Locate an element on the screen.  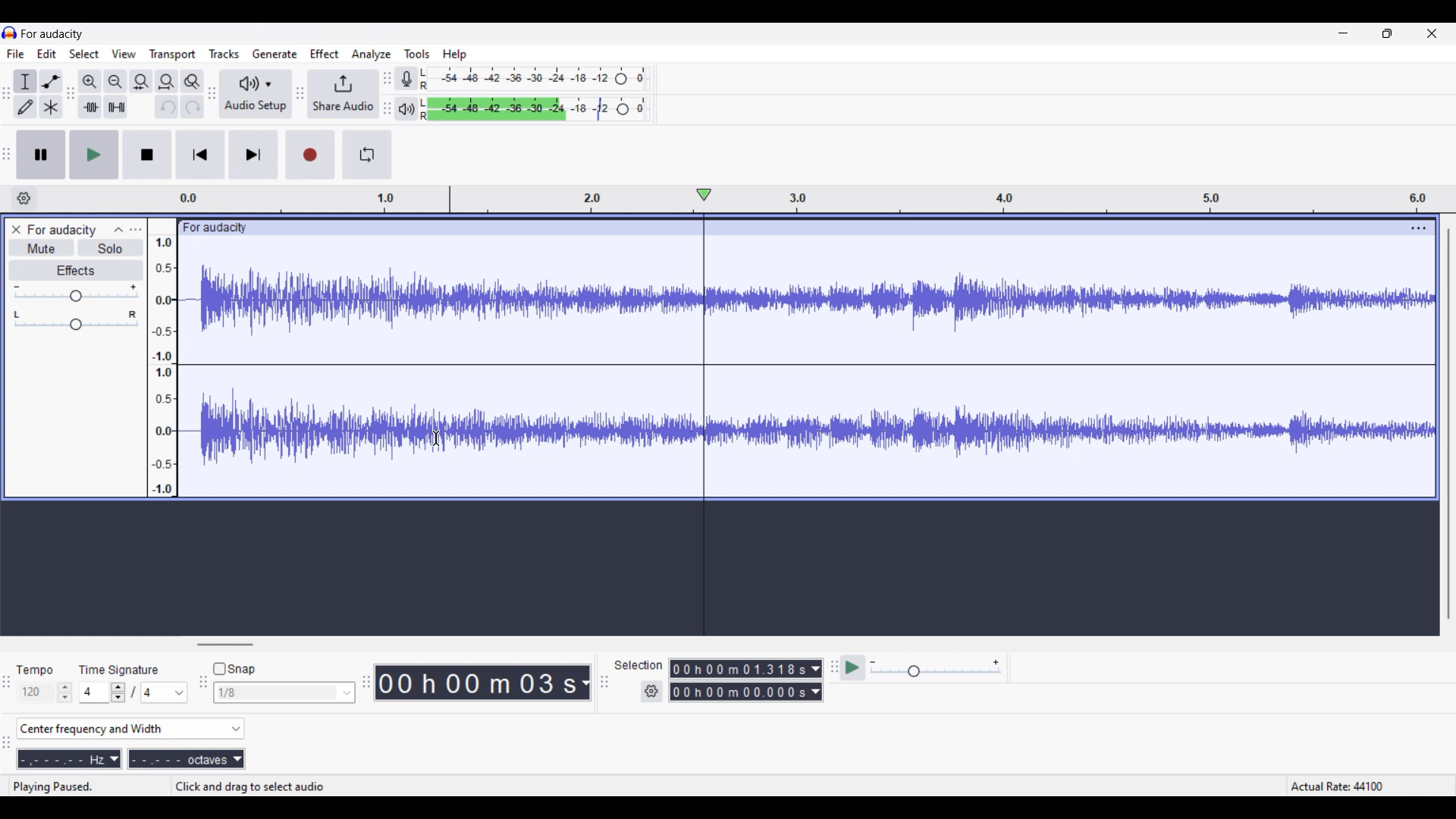
Zoom out is located at coordinates (115, 82).